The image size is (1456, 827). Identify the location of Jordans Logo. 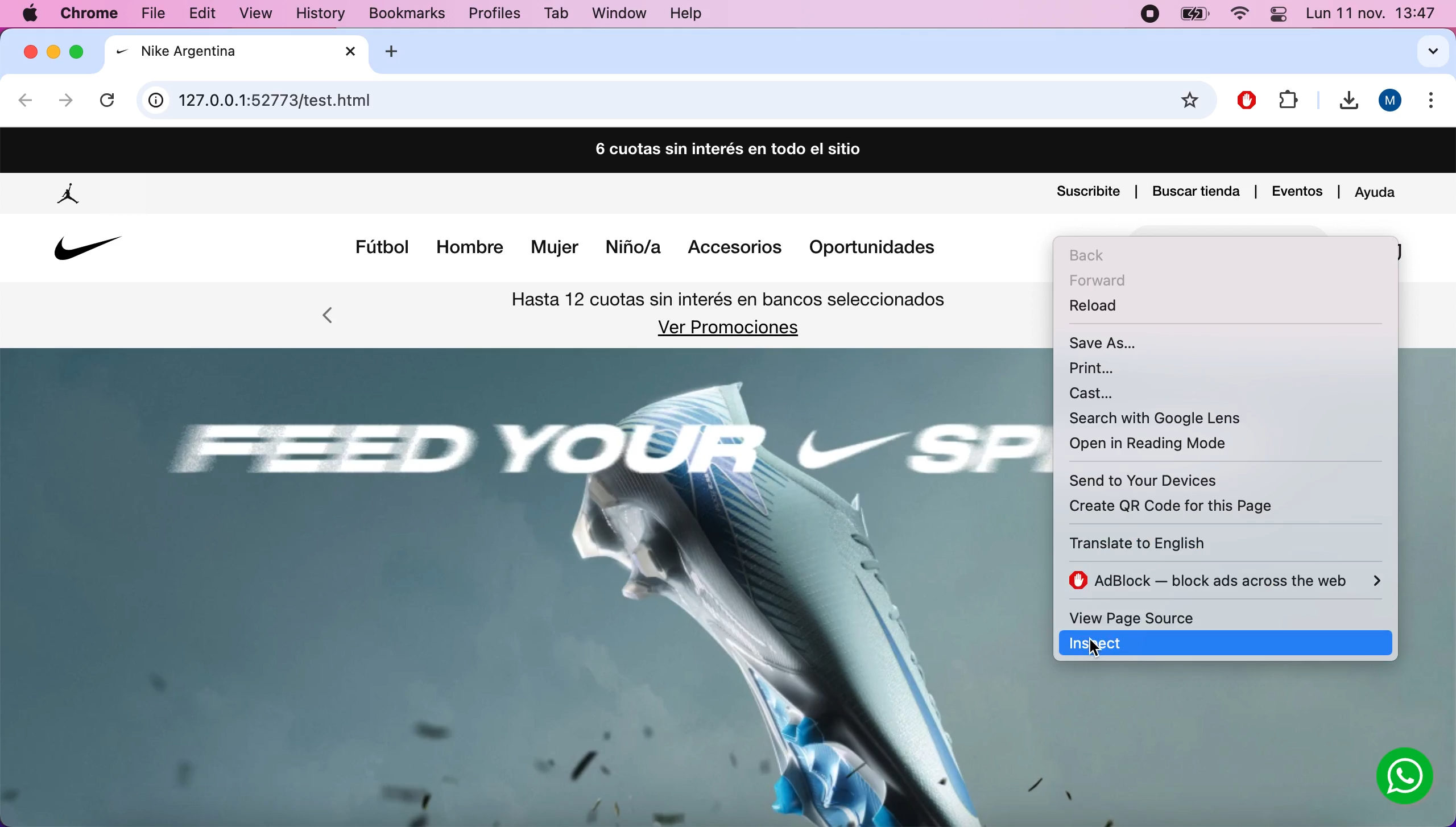
(71, 195).